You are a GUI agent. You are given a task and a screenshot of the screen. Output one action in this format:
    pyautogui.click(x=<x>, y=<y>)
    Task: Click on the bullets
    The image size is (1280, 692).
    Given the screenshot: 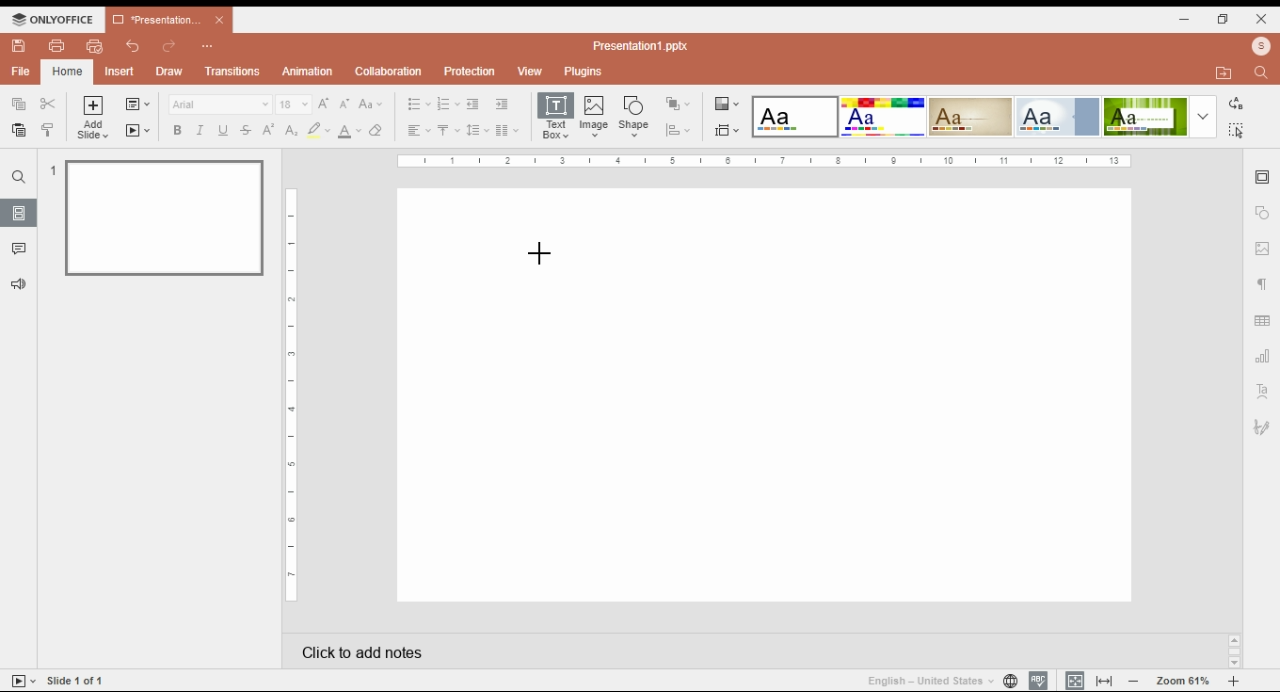 What is the action you would take?
    pyautogui.click(x=418, y=103)
    